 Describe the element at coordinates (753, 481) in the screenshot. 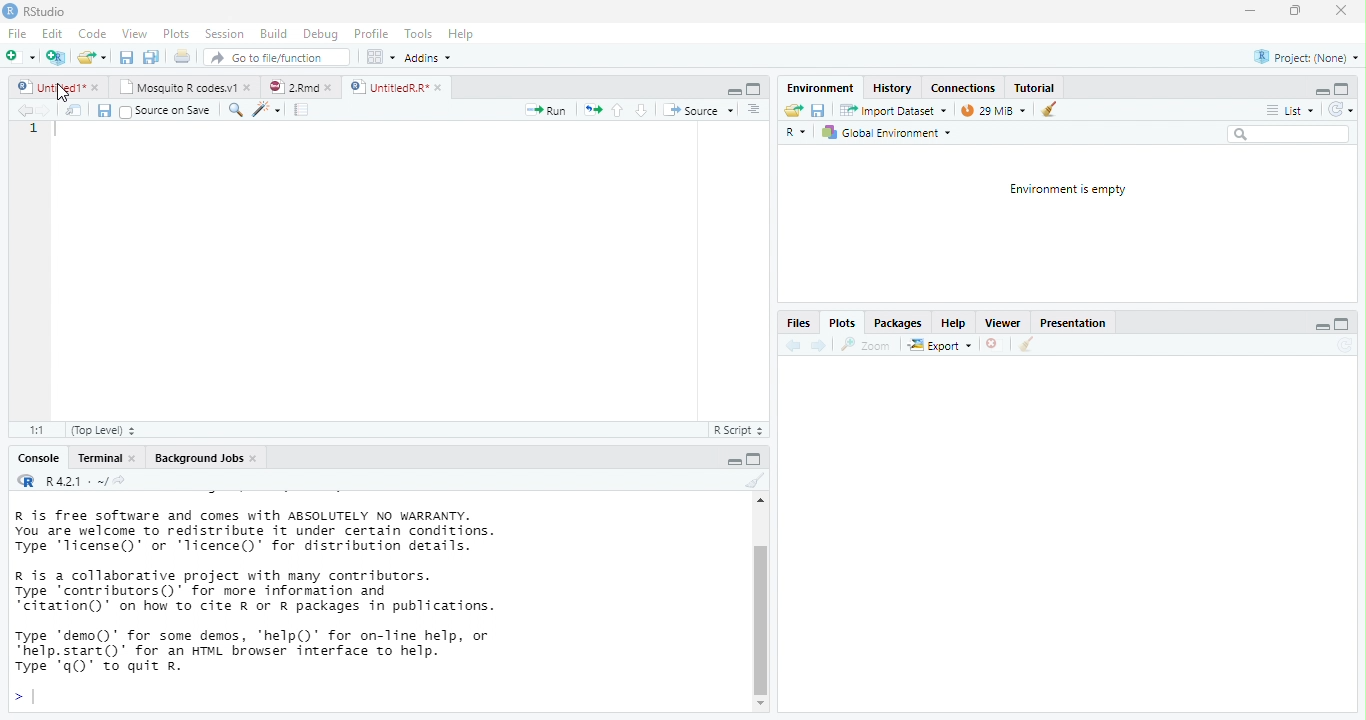

I see `clear` at that location.